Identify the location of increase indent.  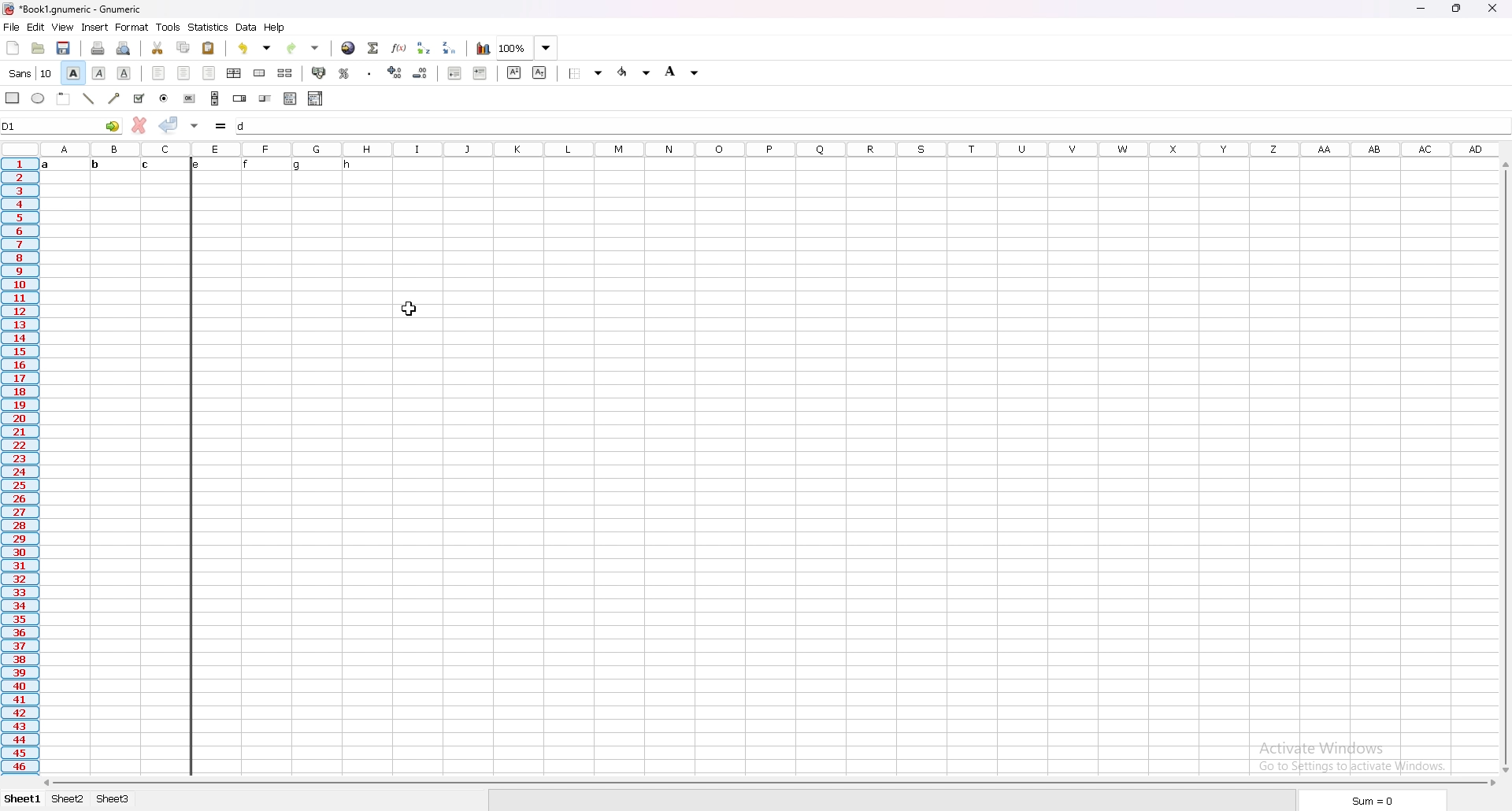
(480, 73).